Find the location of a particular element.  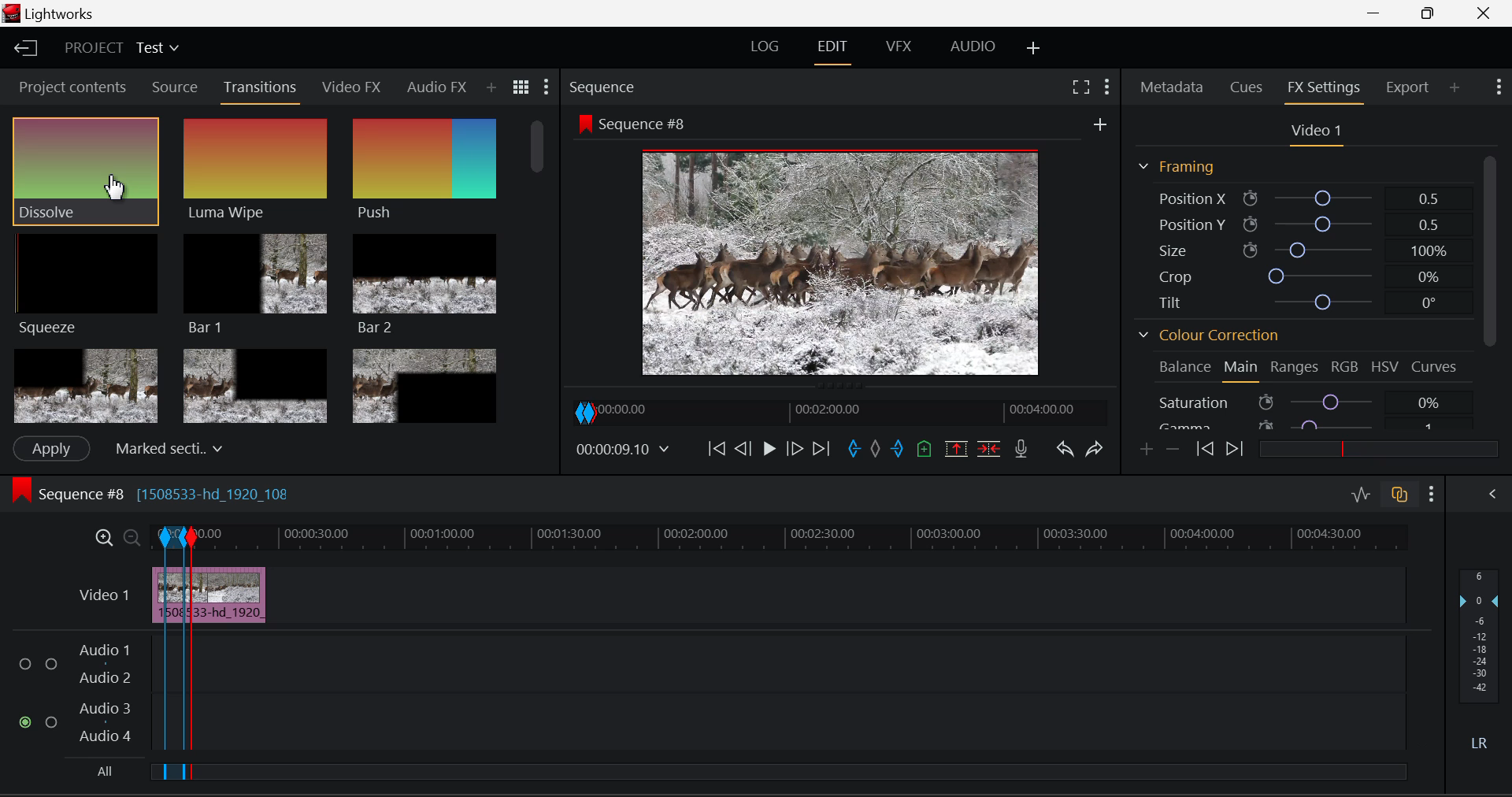

Toggle between list and title view is located at coordinates (521, 87).